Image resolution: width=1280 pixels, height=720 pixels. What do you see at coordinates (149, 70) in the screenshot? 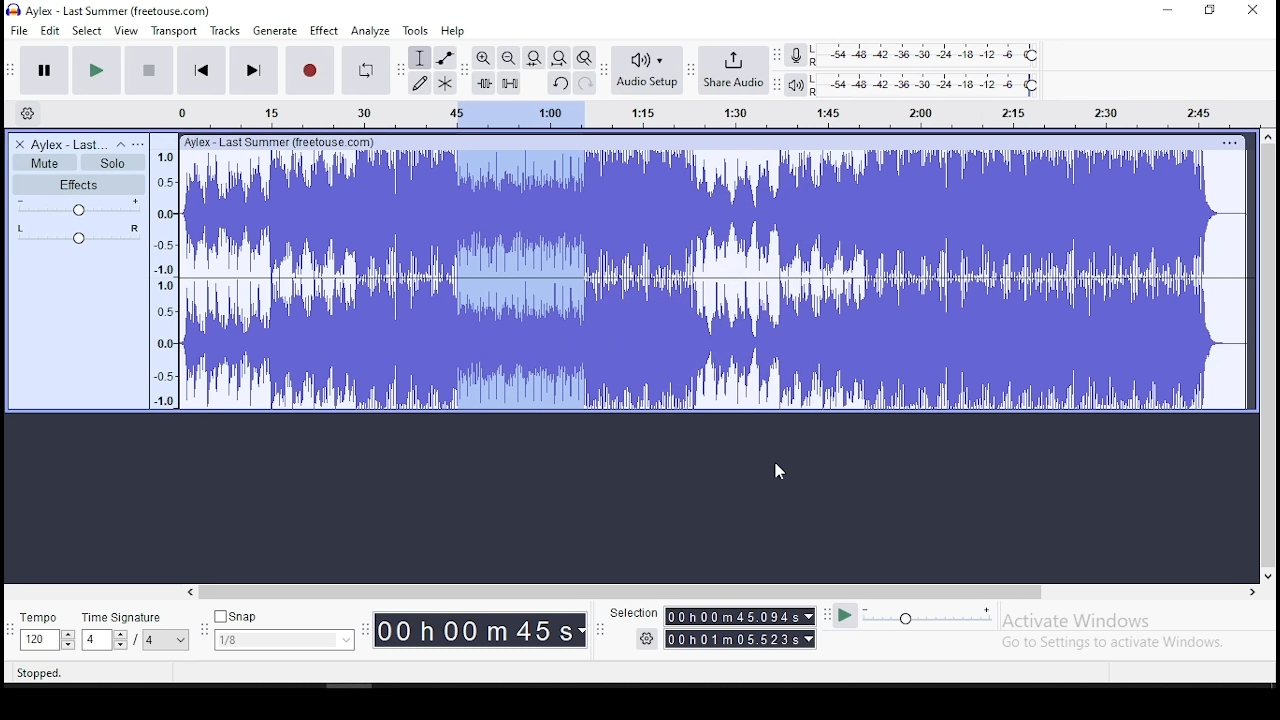
I see `stop` at bounding box center [149, 70].